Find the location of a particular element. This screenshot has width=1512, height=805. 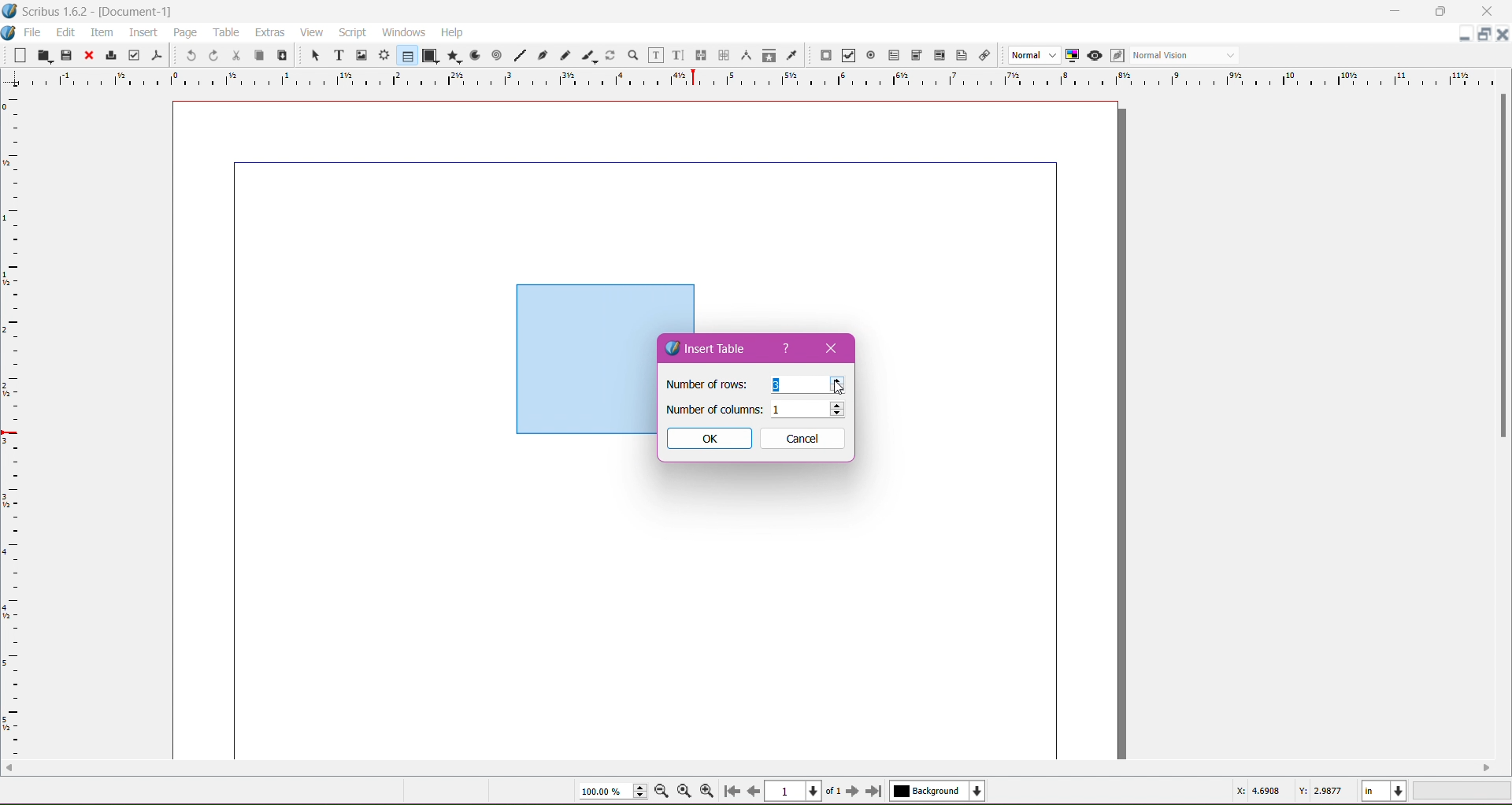

Link Annotation is located at coordinates (982, 54).